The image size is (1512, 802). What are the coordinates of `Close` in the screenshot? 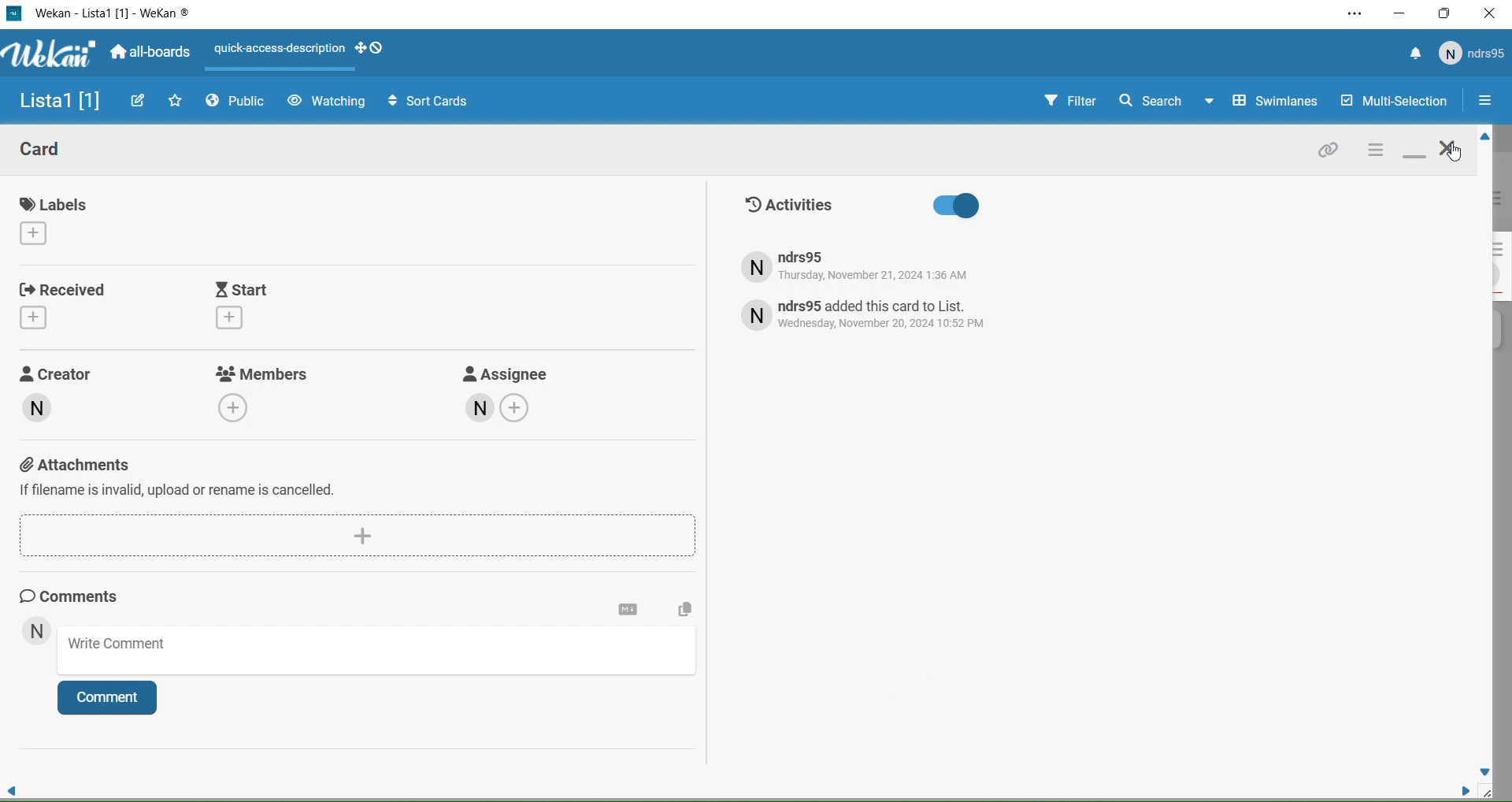 It's located at (1490, 16).